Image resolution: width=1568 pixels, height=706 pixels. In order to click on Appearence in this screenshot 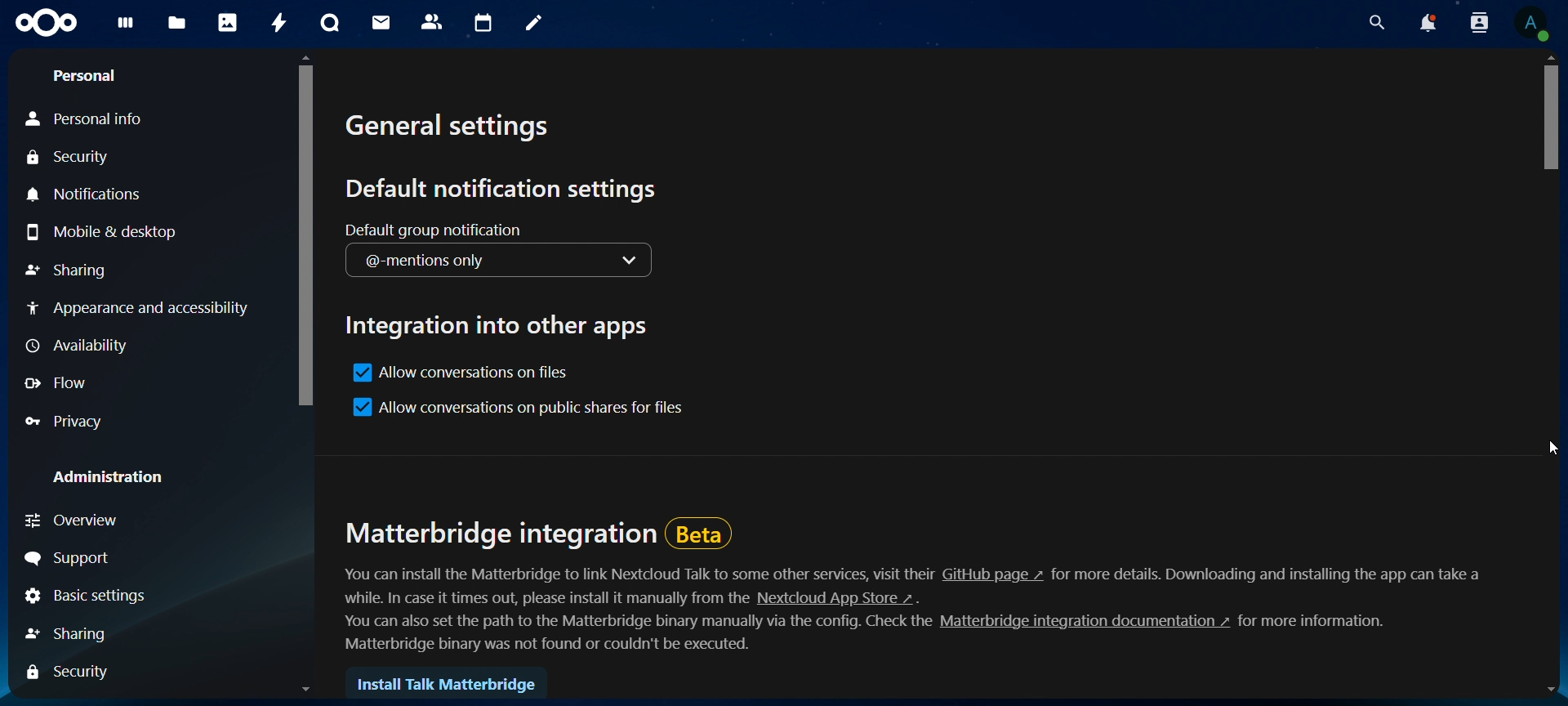, I will do `click(140, 310)`.